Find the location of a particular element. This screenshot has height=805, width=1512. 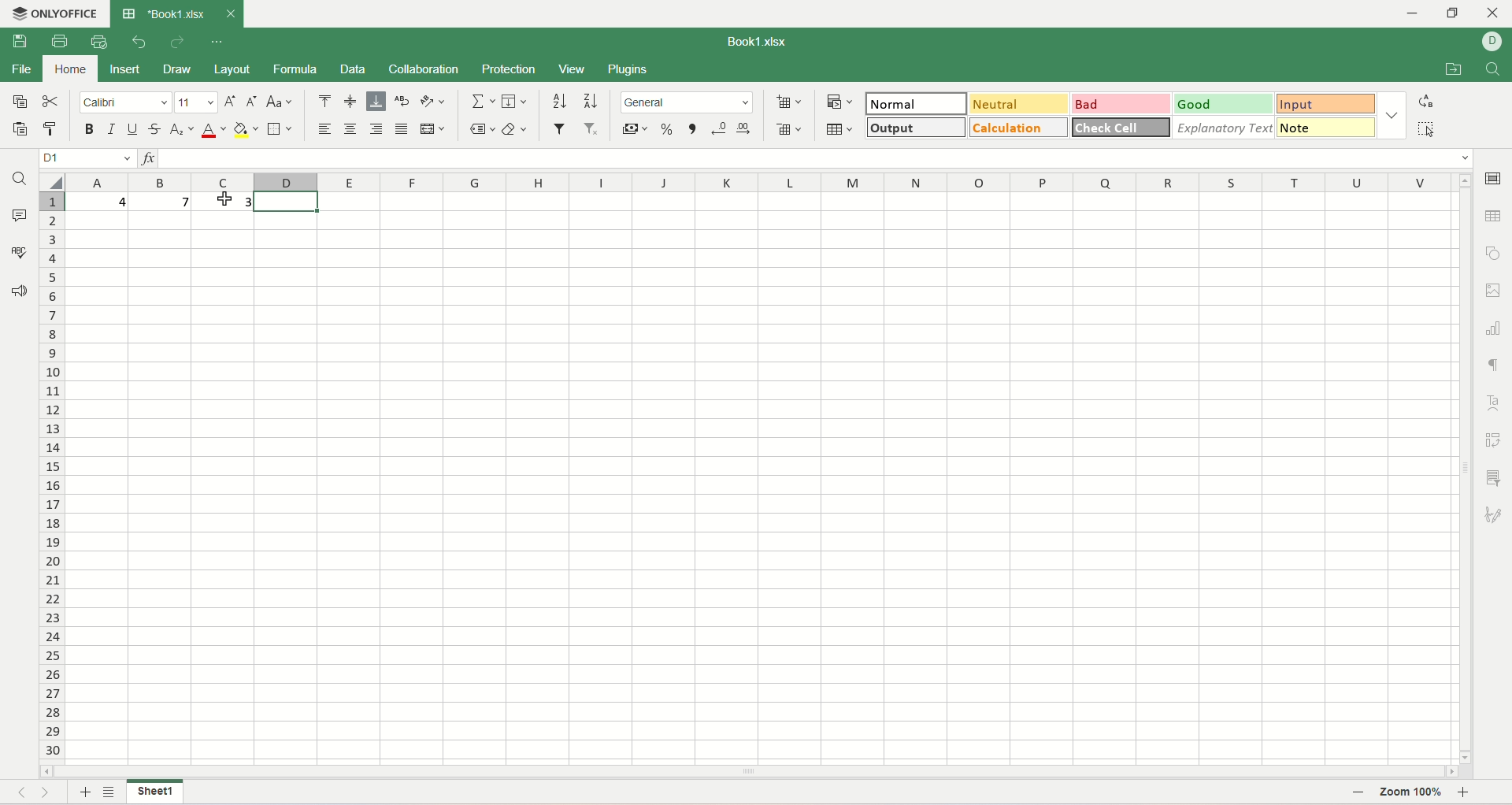

vertical scroll settings is located at coordinates (1467, 467).